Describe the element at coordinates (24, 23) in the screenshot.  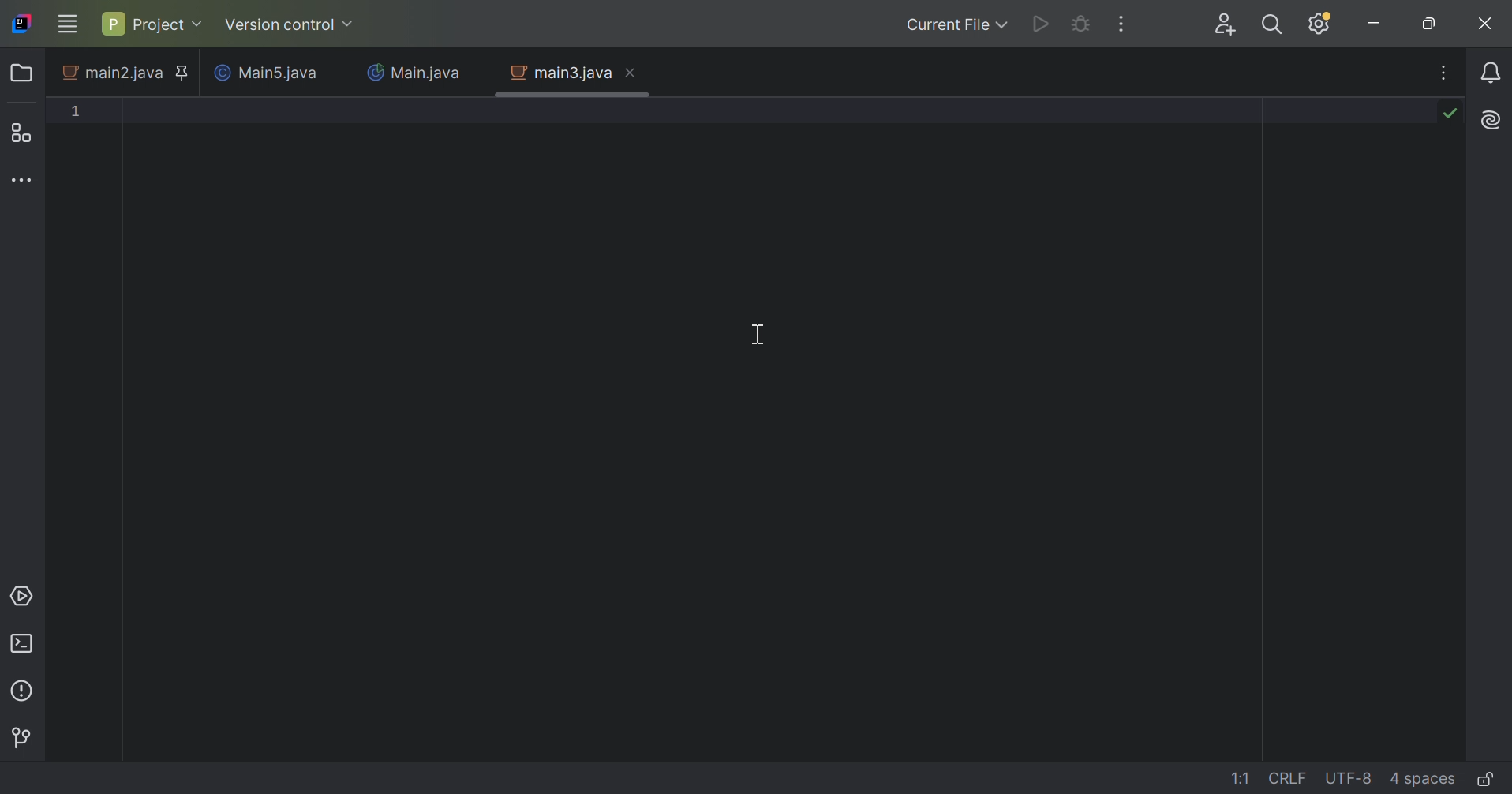
I see `IntelliJ IDEA icon` at that location.